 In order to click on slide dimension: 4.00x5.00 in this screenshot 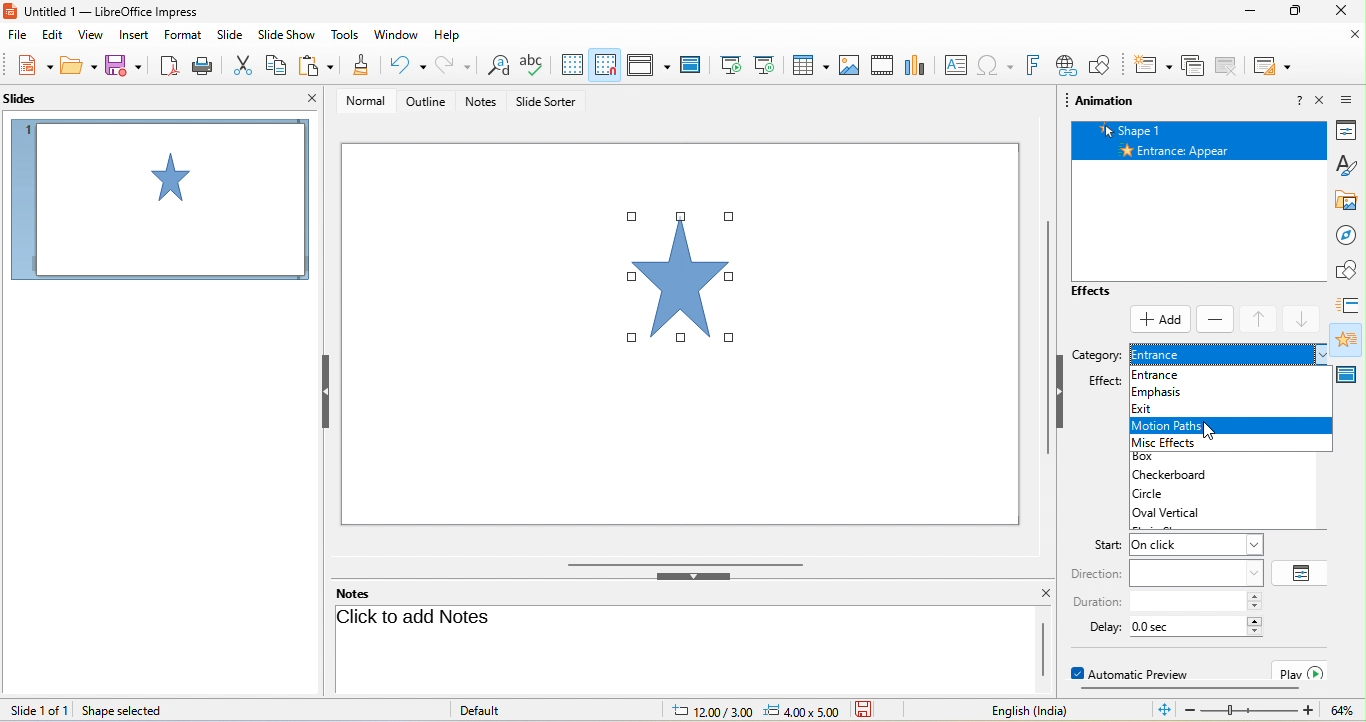, I will do `click(801, 711)`.